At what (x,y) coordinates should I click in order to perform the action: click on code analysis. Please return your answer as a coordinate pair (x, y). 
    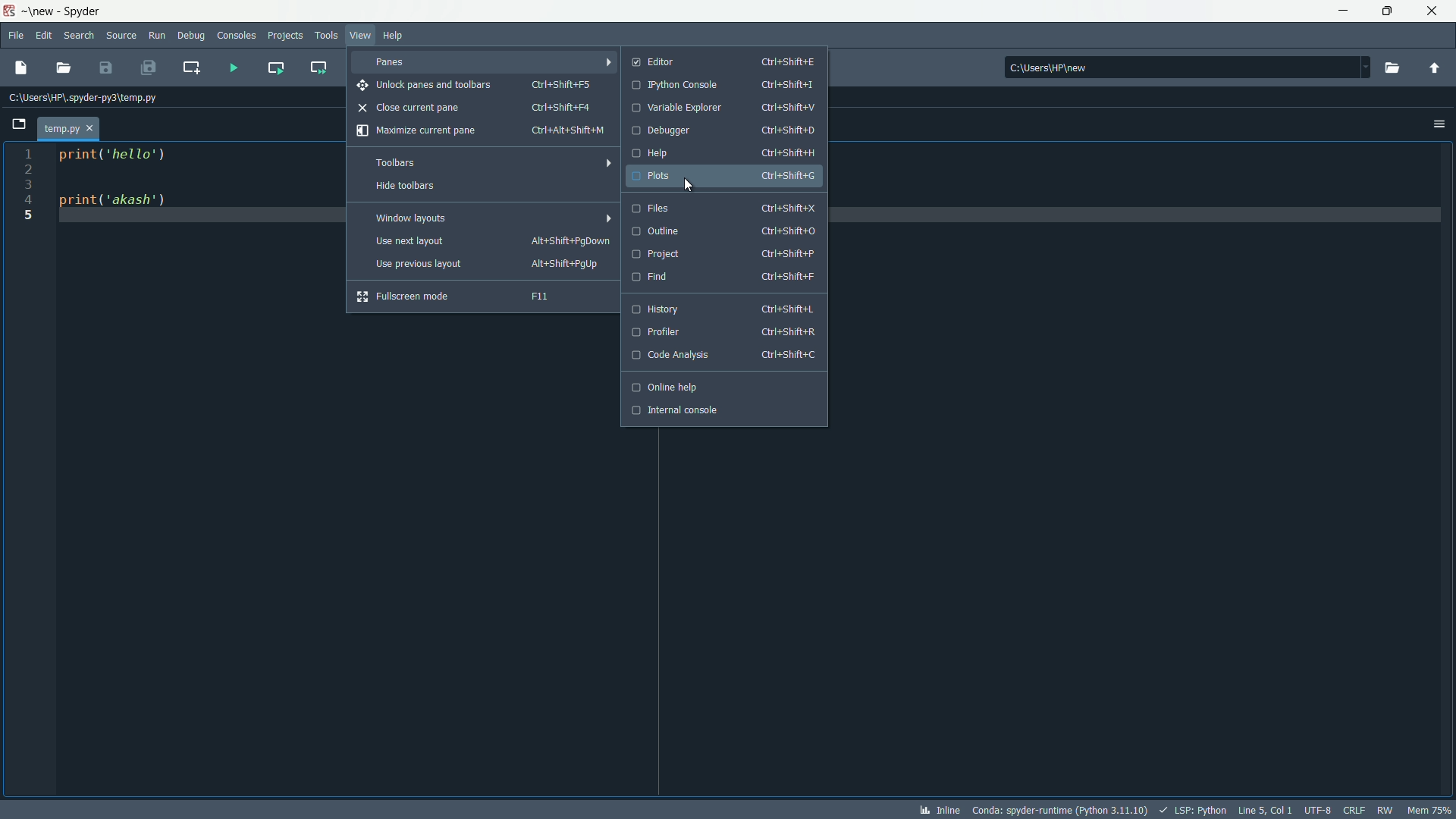
    Looking at the image, I should click on (722, 356).